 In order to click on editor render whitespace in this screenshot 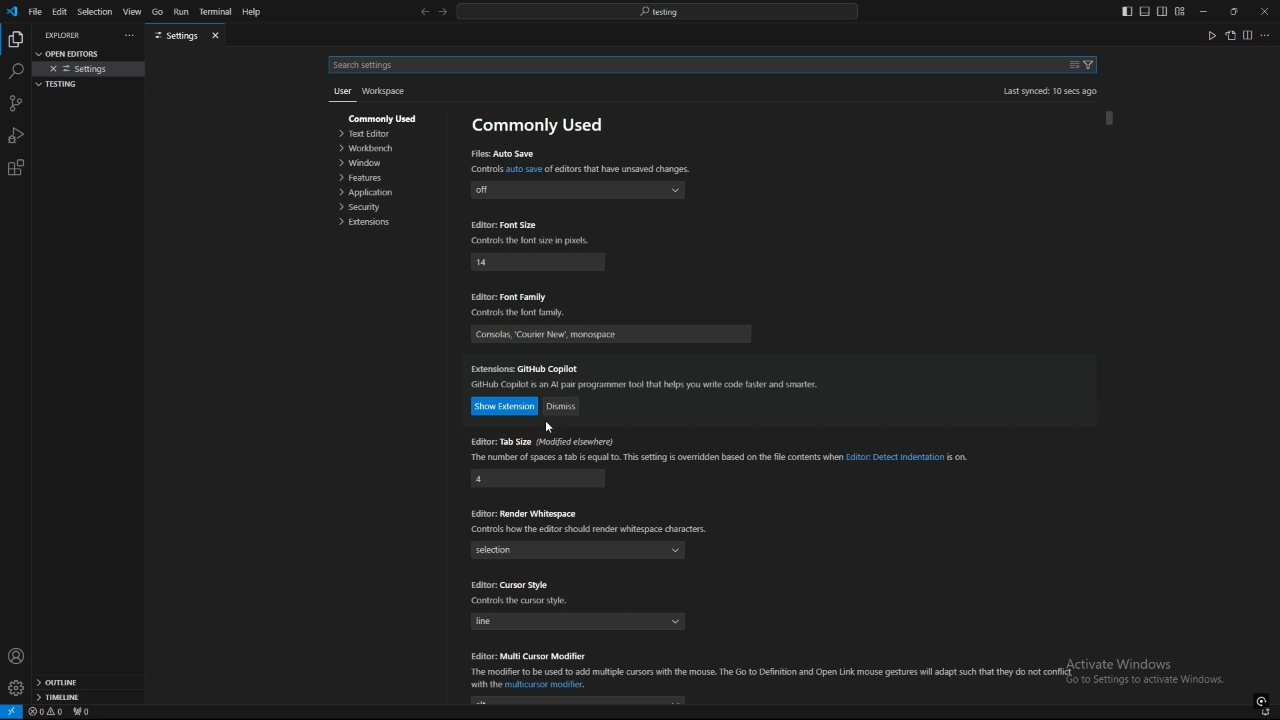, I will do `click(525, 512)`.